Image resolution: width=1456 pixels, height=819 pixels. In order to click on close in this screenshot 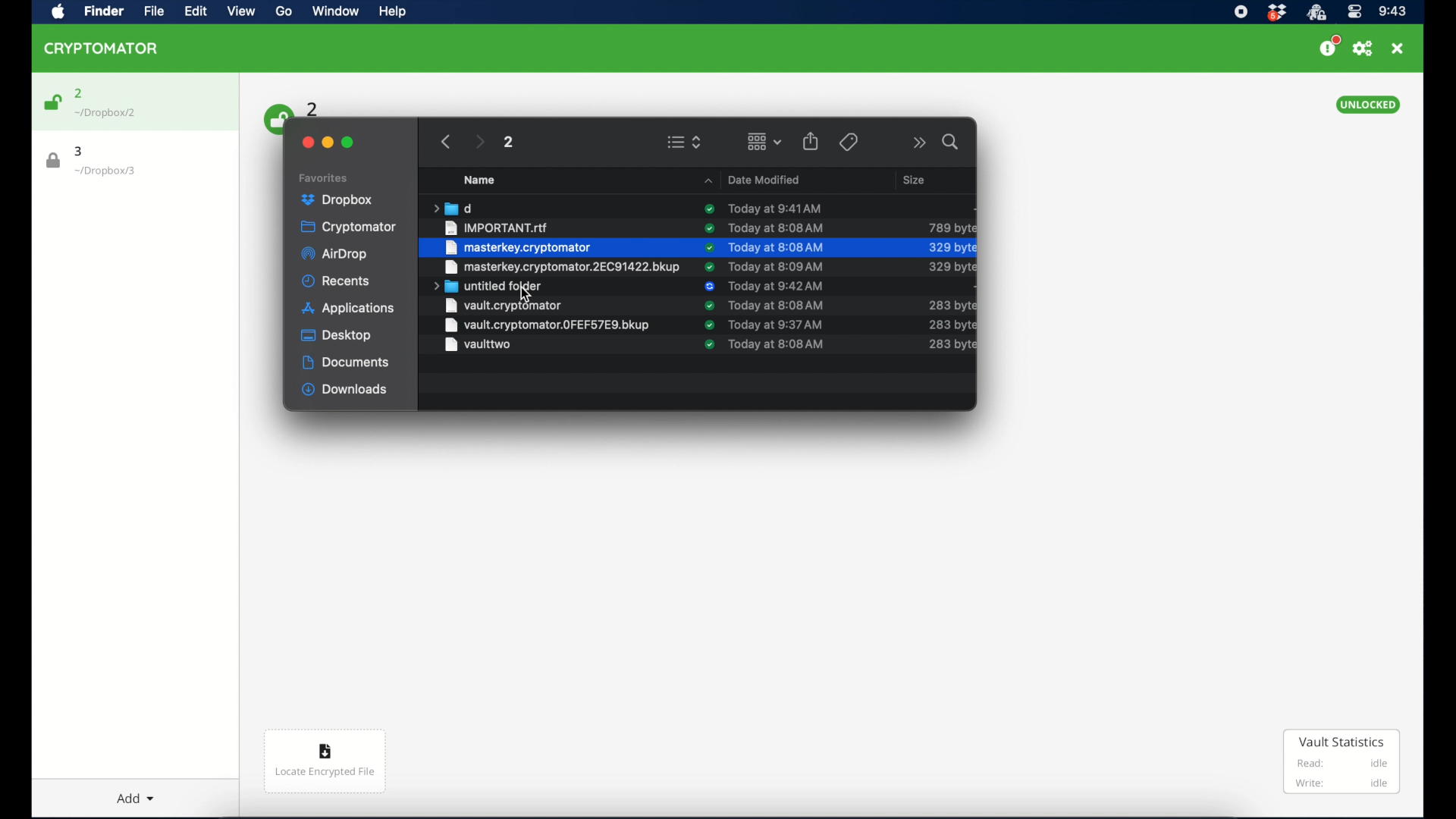, I will do `click(306, 143)`.